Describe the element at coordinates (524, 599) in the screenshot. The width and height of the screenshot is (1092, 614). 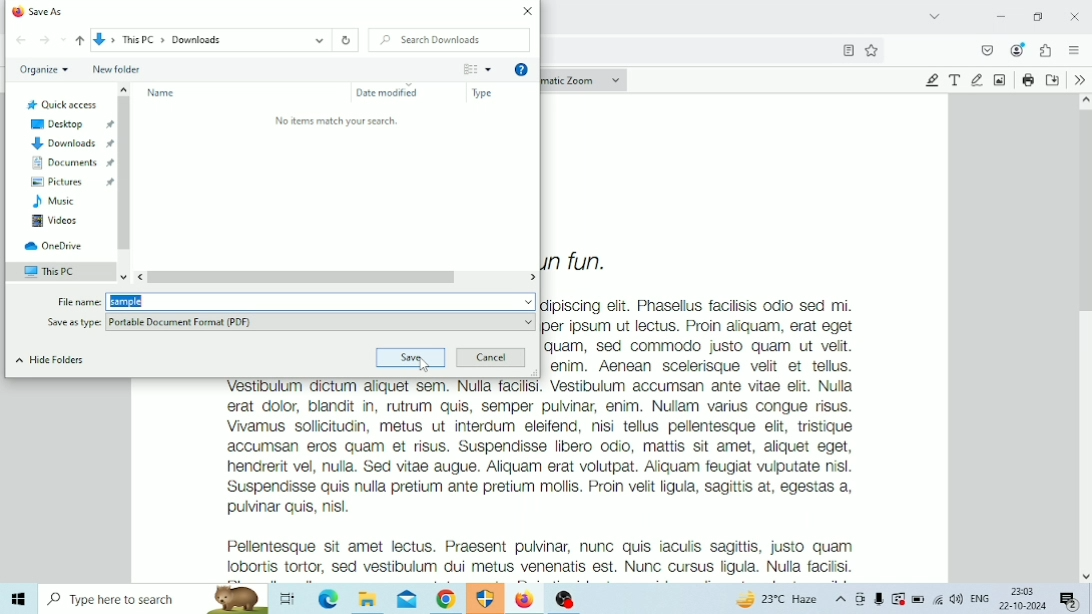
I see `Firefox` at that location.